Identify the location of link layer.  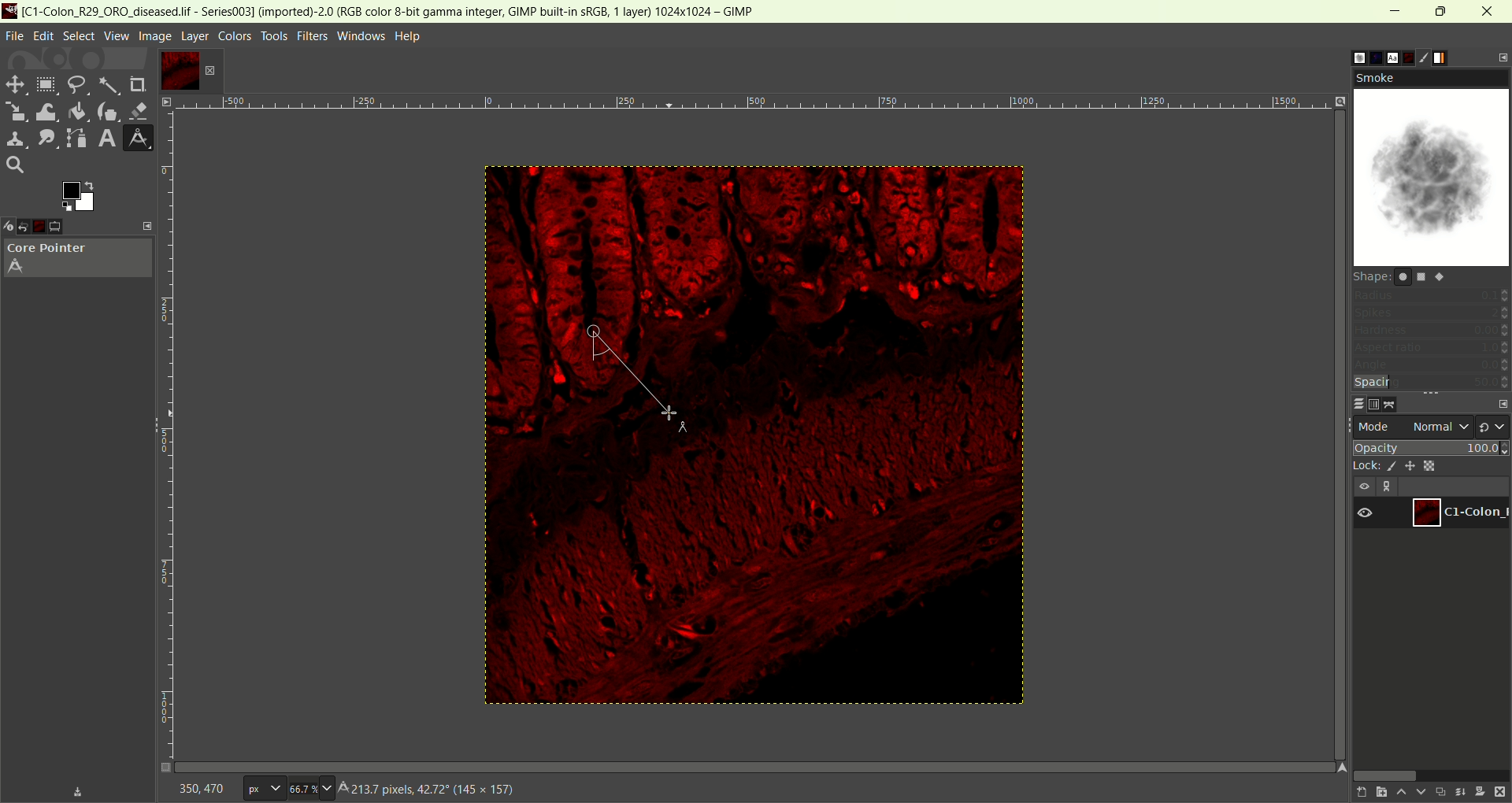
(1388, 487).